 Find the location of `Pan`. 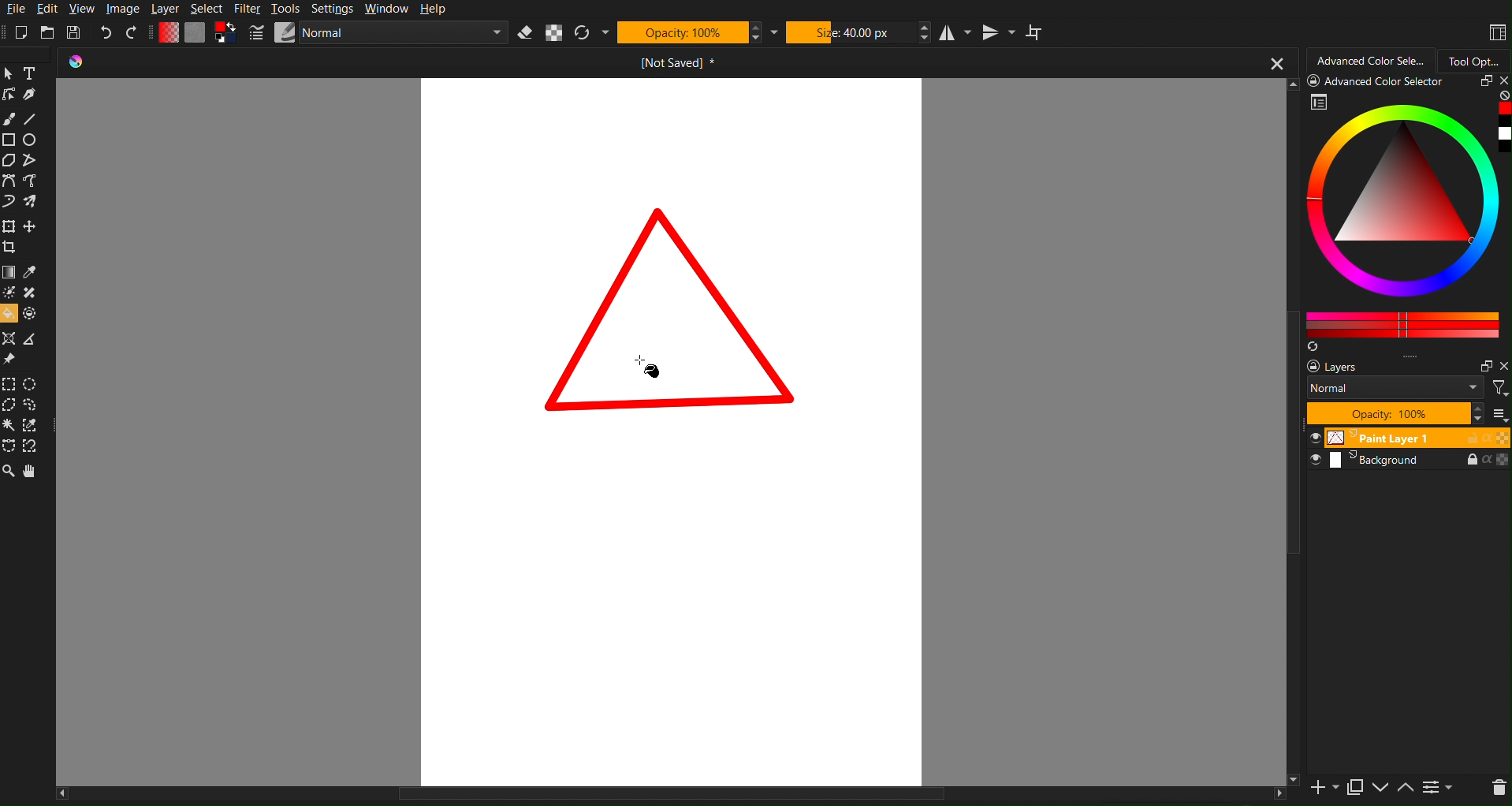

Pan is located at coordinates (33, 472).